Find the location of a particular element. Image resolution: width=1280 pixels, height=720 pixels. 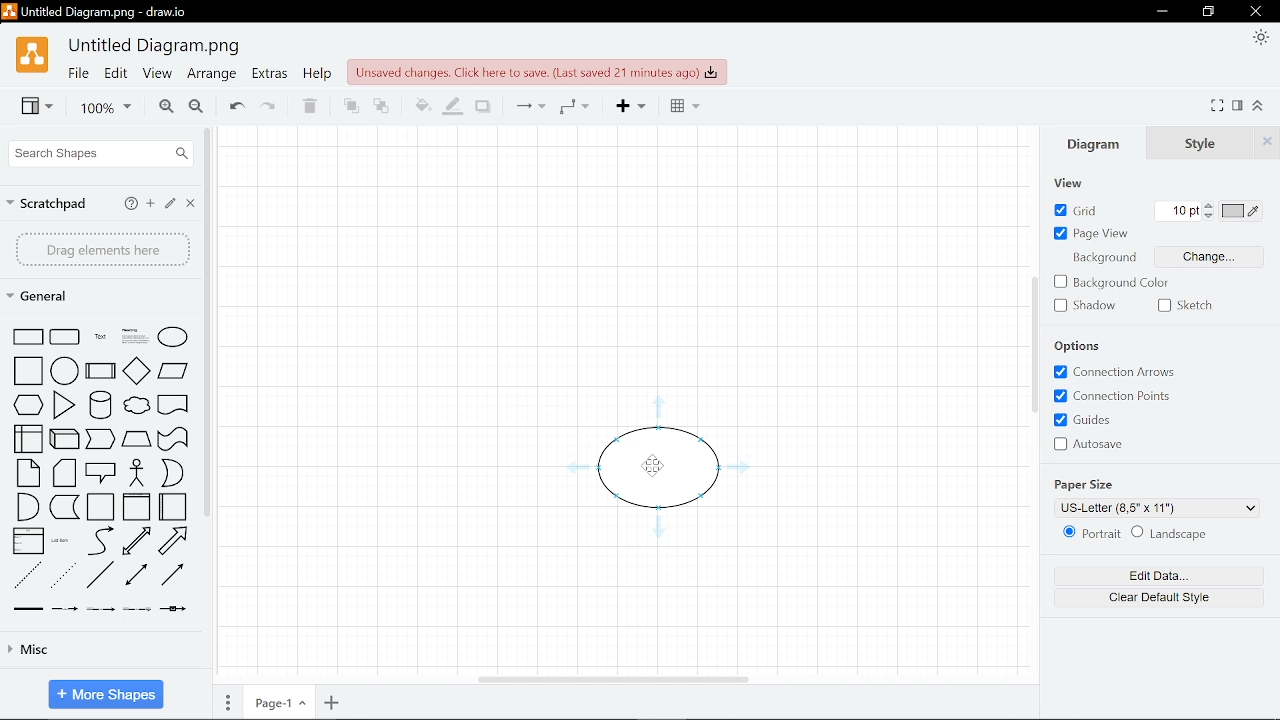

View is located at coordinates (1066, 183).